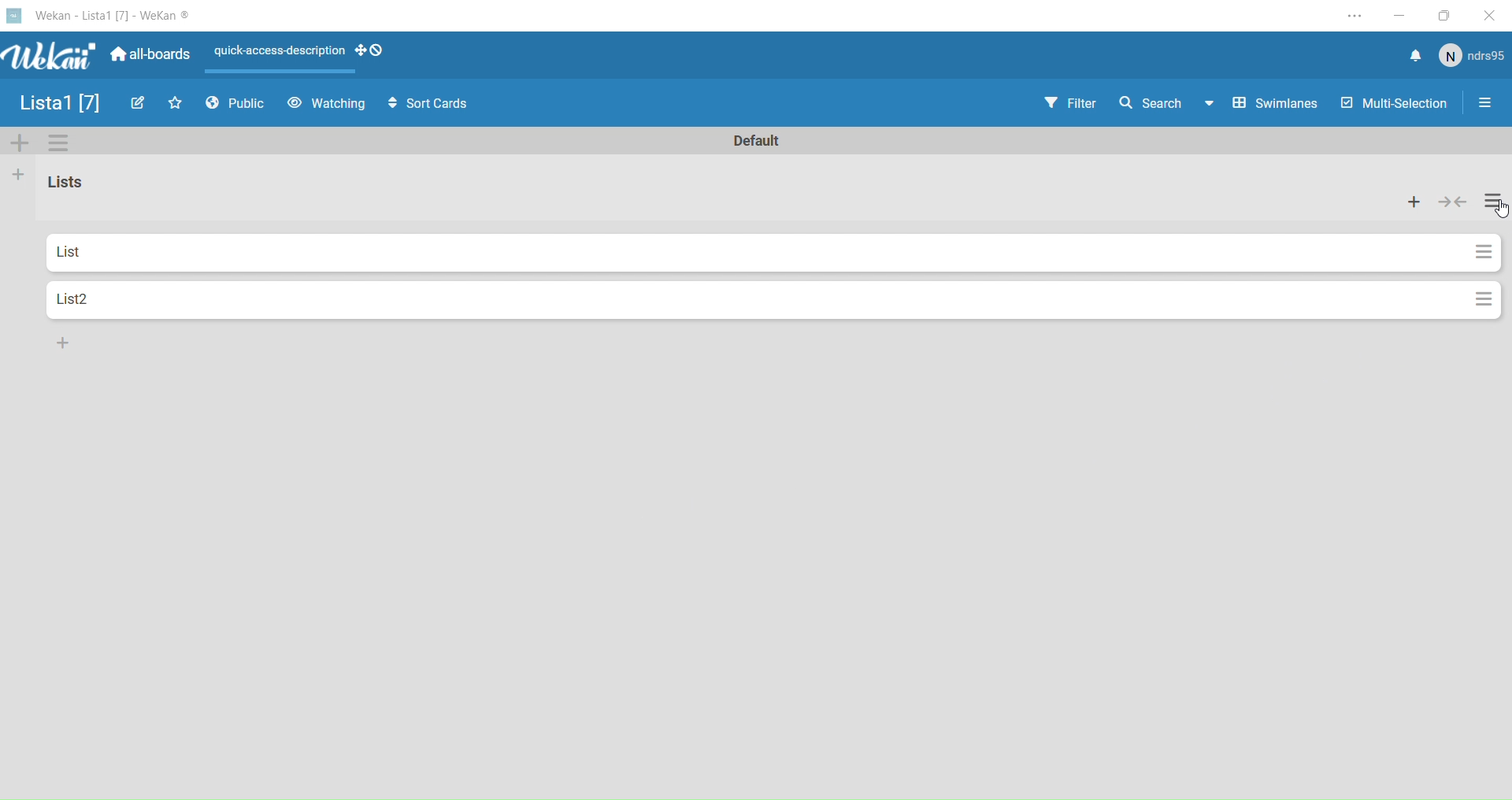 The width and height of the screenshot is (1512, 800). Describe the element at coordinates (328, 104) in the screenshot. I see `Watching` at that location.